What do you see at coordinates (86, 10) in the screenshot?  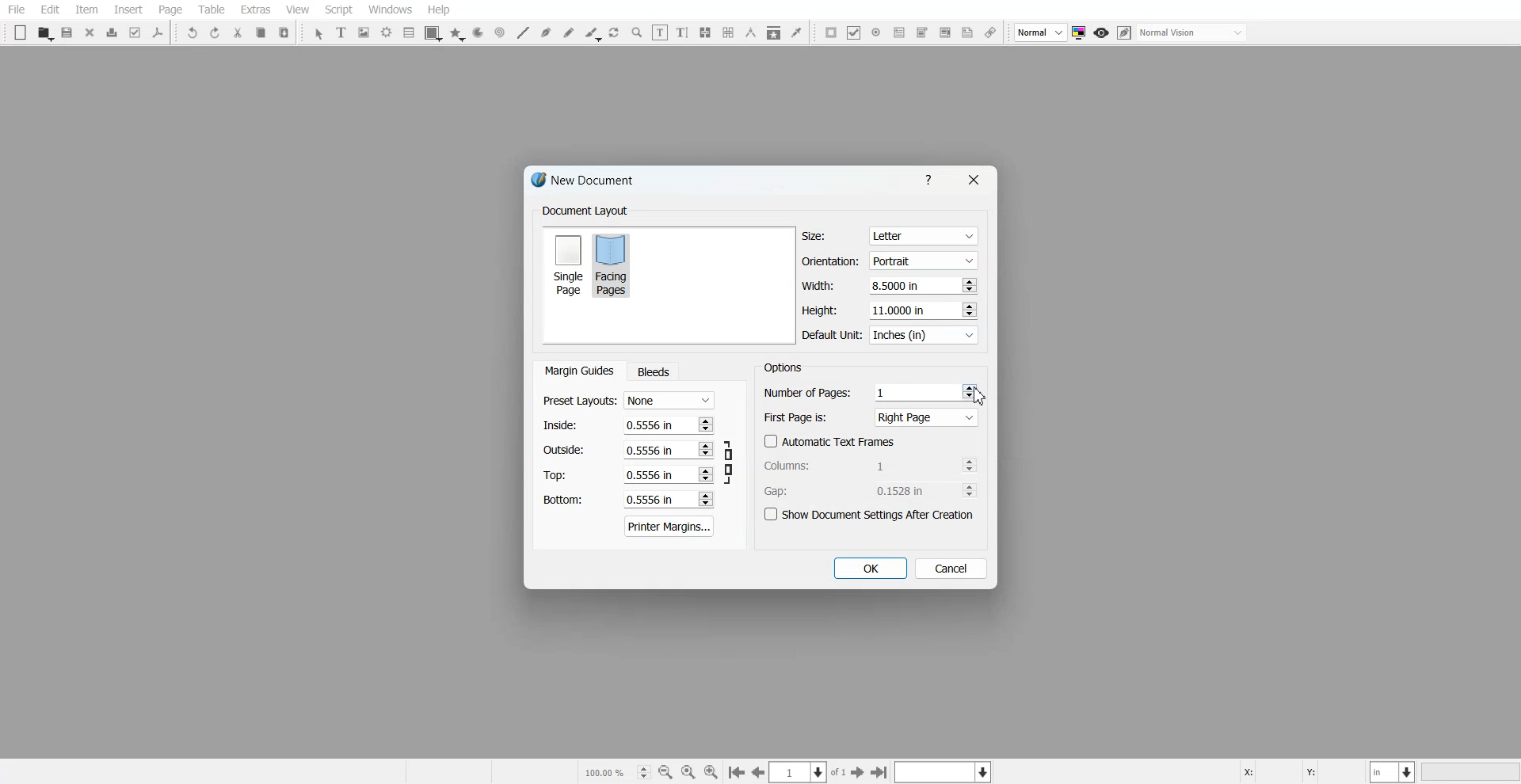 I see `Item` at bounding box center [86, 10].